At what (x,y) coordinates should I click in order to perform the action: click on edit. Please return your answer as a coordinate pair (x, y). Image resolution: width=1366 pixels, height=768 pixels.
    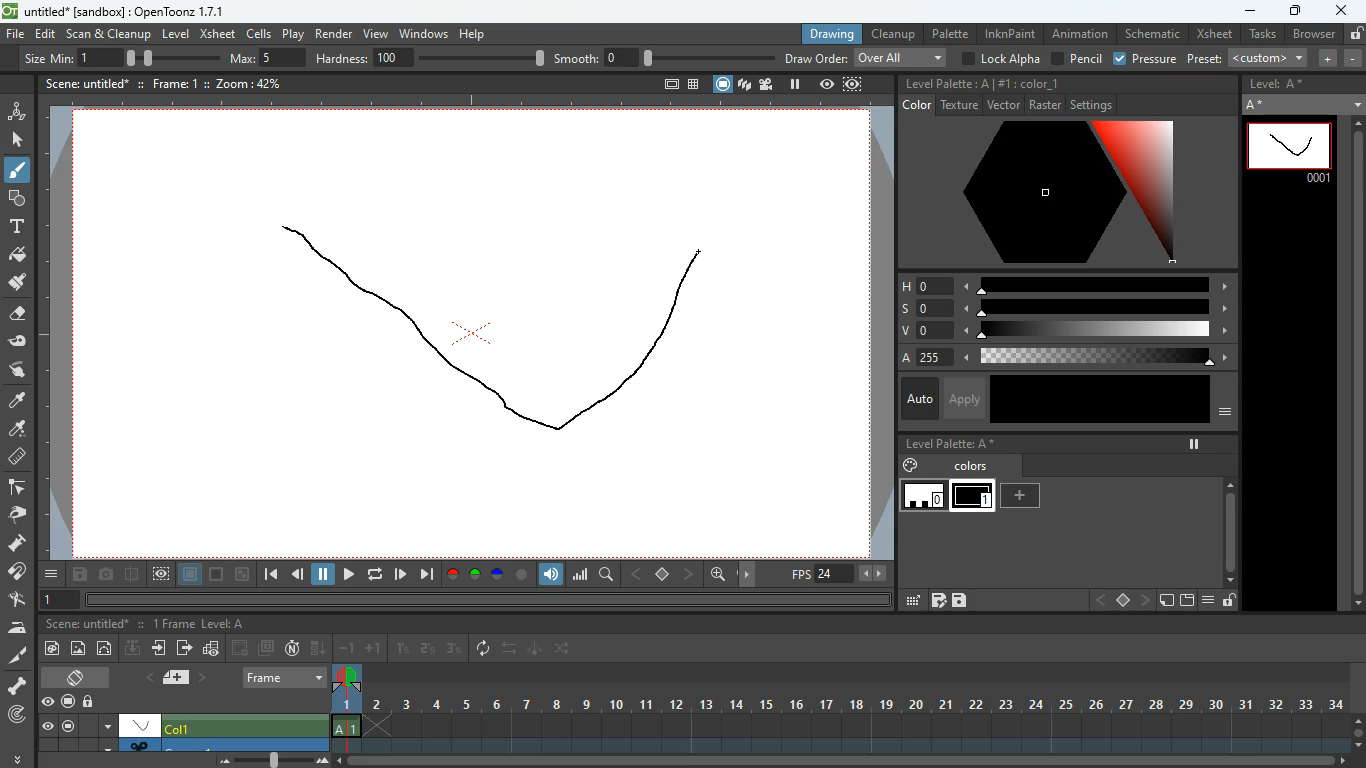
    Looking at the image, I should click on (46, 34).